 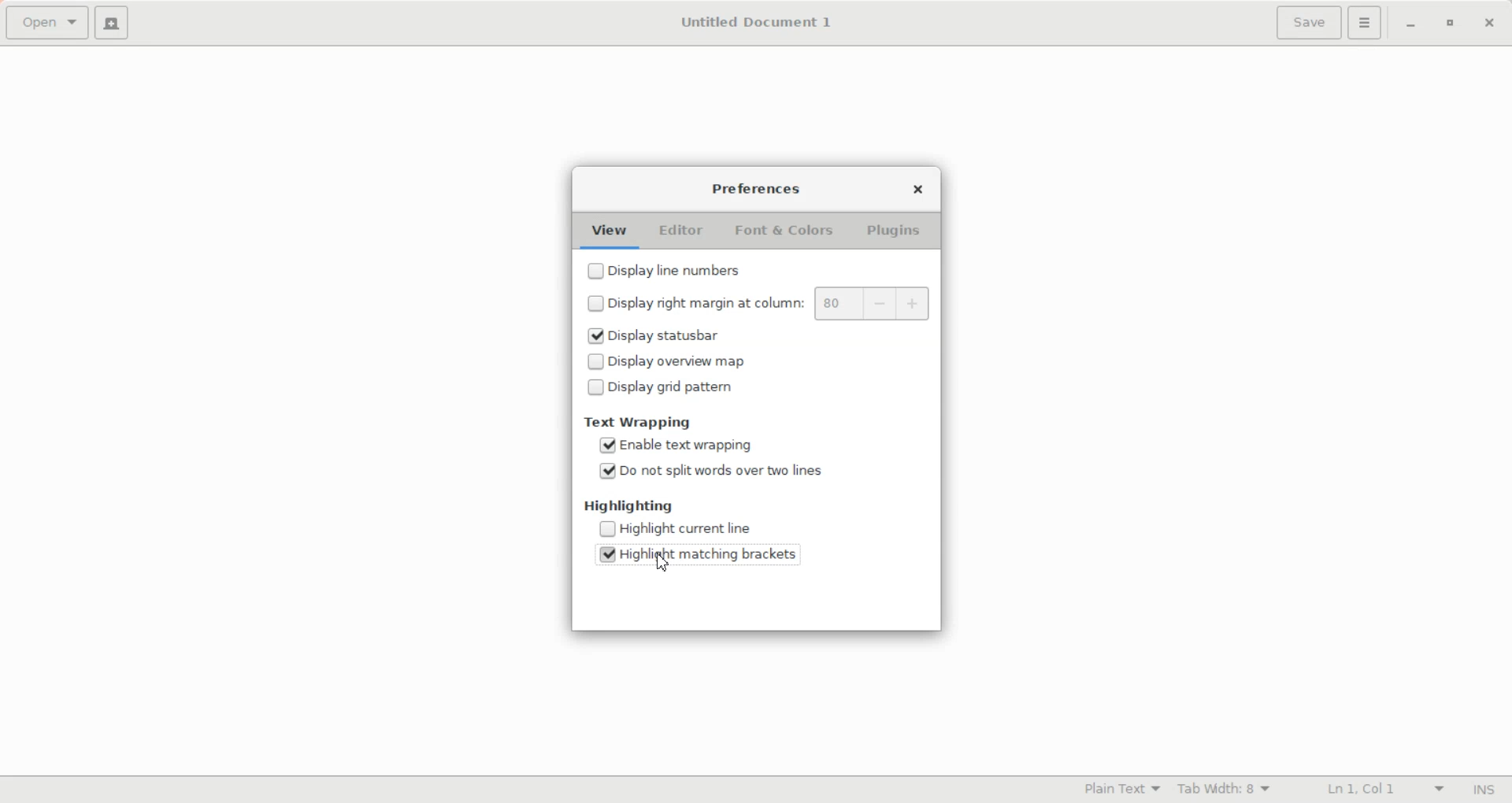 I want to click on Increase, so click(x=915, y=305).